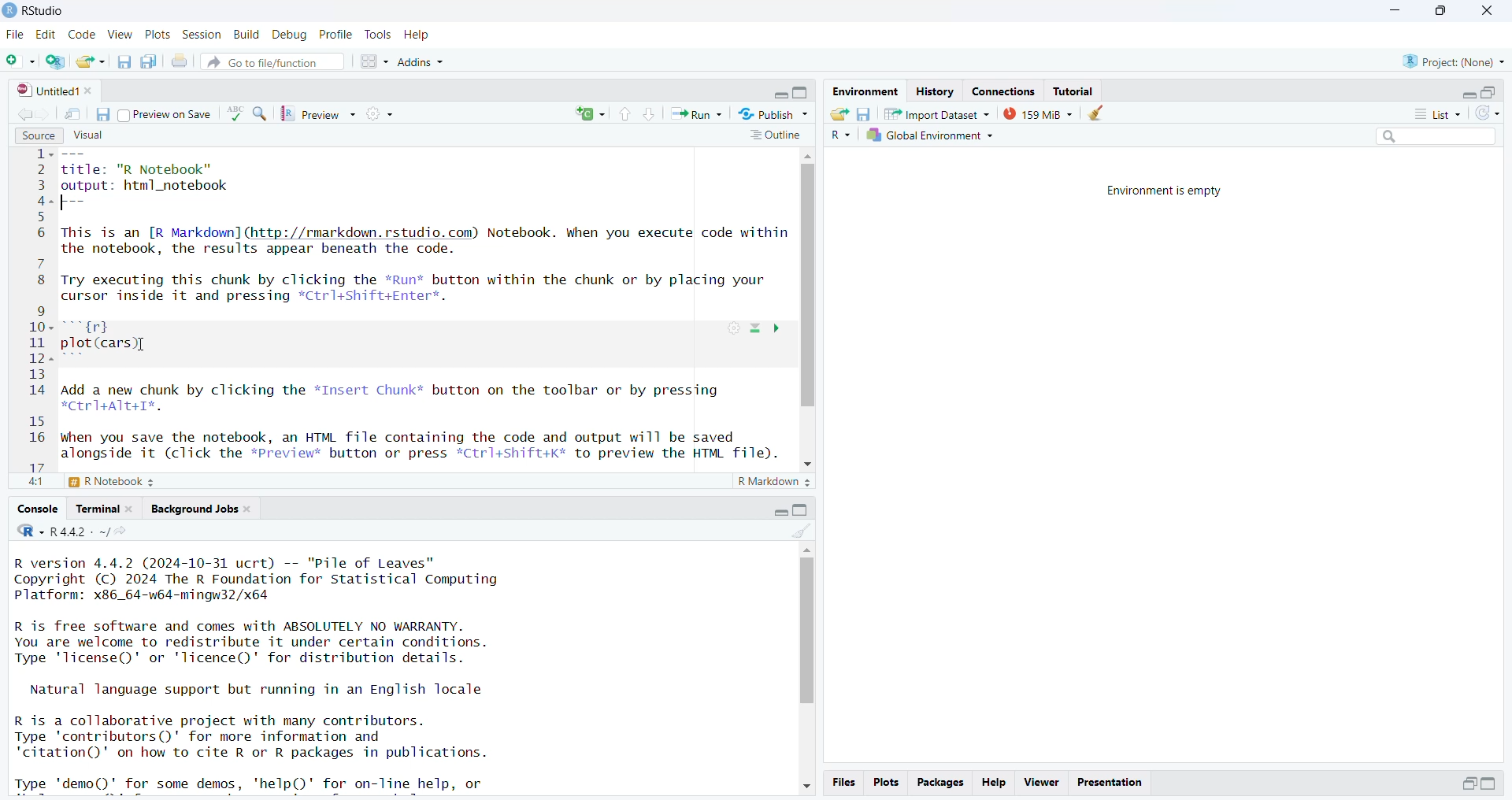 Image resolution: width=1512 pixels, height=800 pixels. What do you see at coordinates (235, 113) in the screenshot?
I see `language` at bounding box center [235, 113].